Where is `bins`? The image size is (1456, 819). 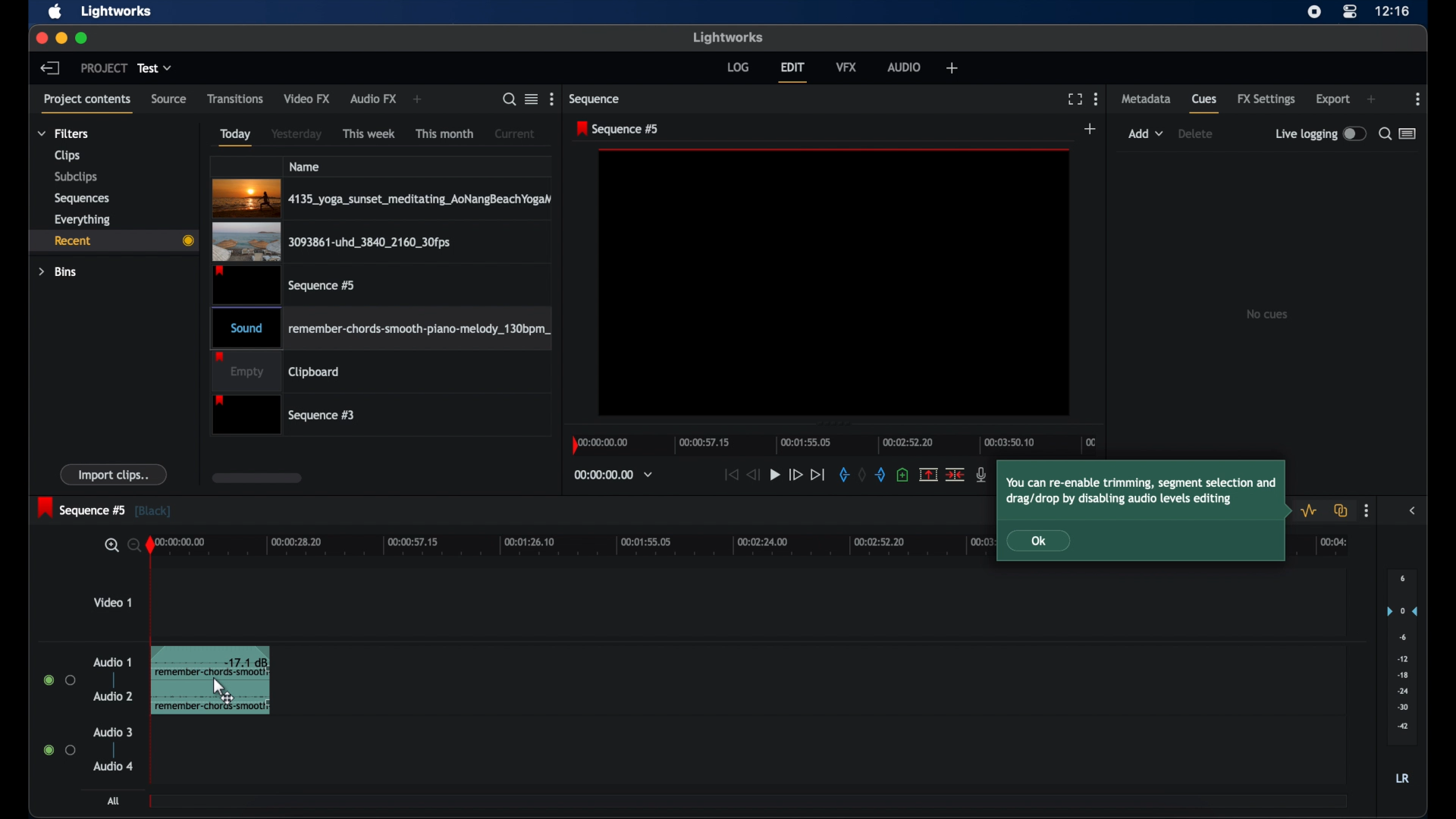
bins is located at coordinates (58, 271).